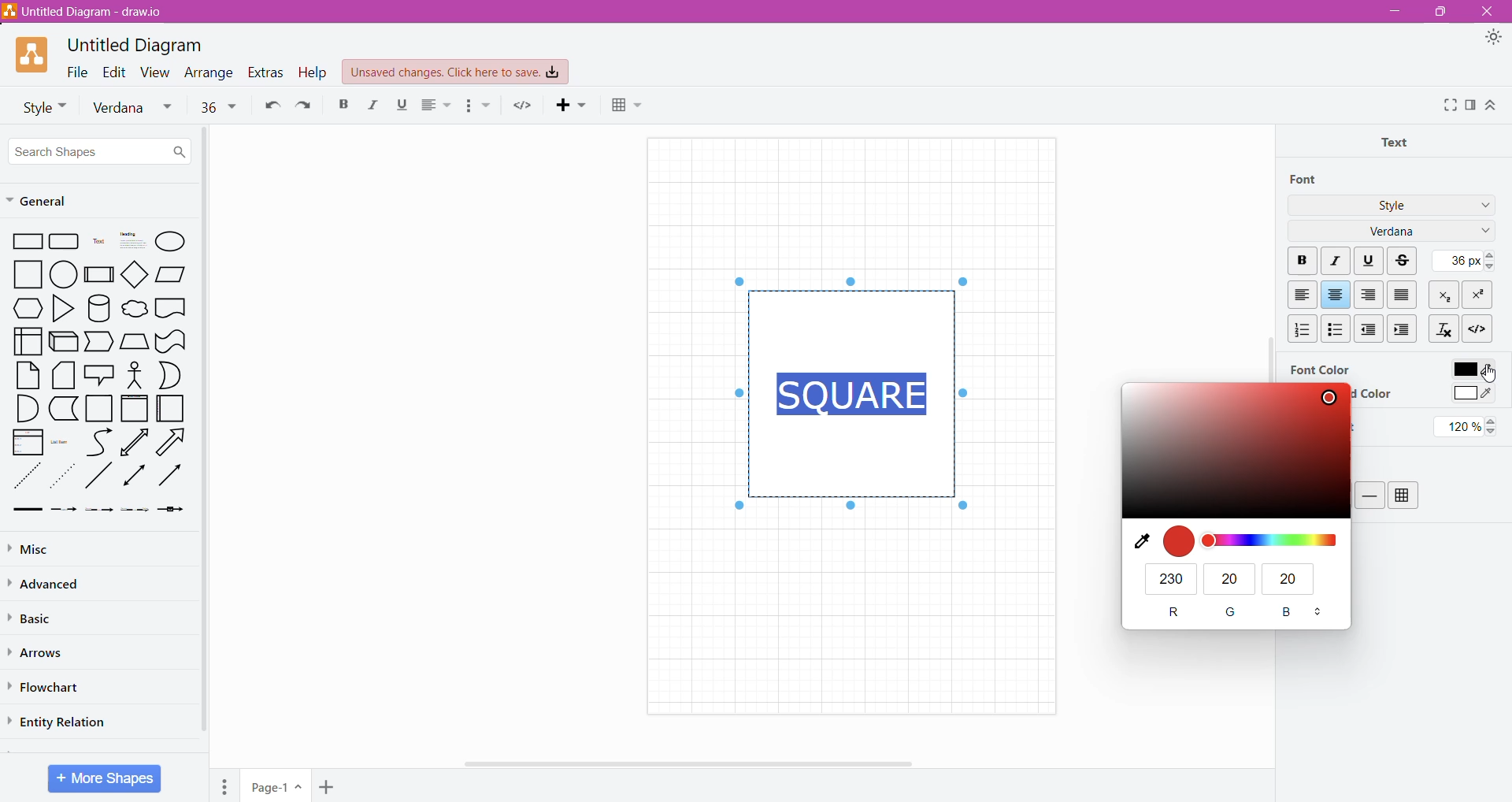 This screenshot has height=802, width=1512. Describe the element at coordinates (218, 106) in the screenshot. I see `Font size` at that location.